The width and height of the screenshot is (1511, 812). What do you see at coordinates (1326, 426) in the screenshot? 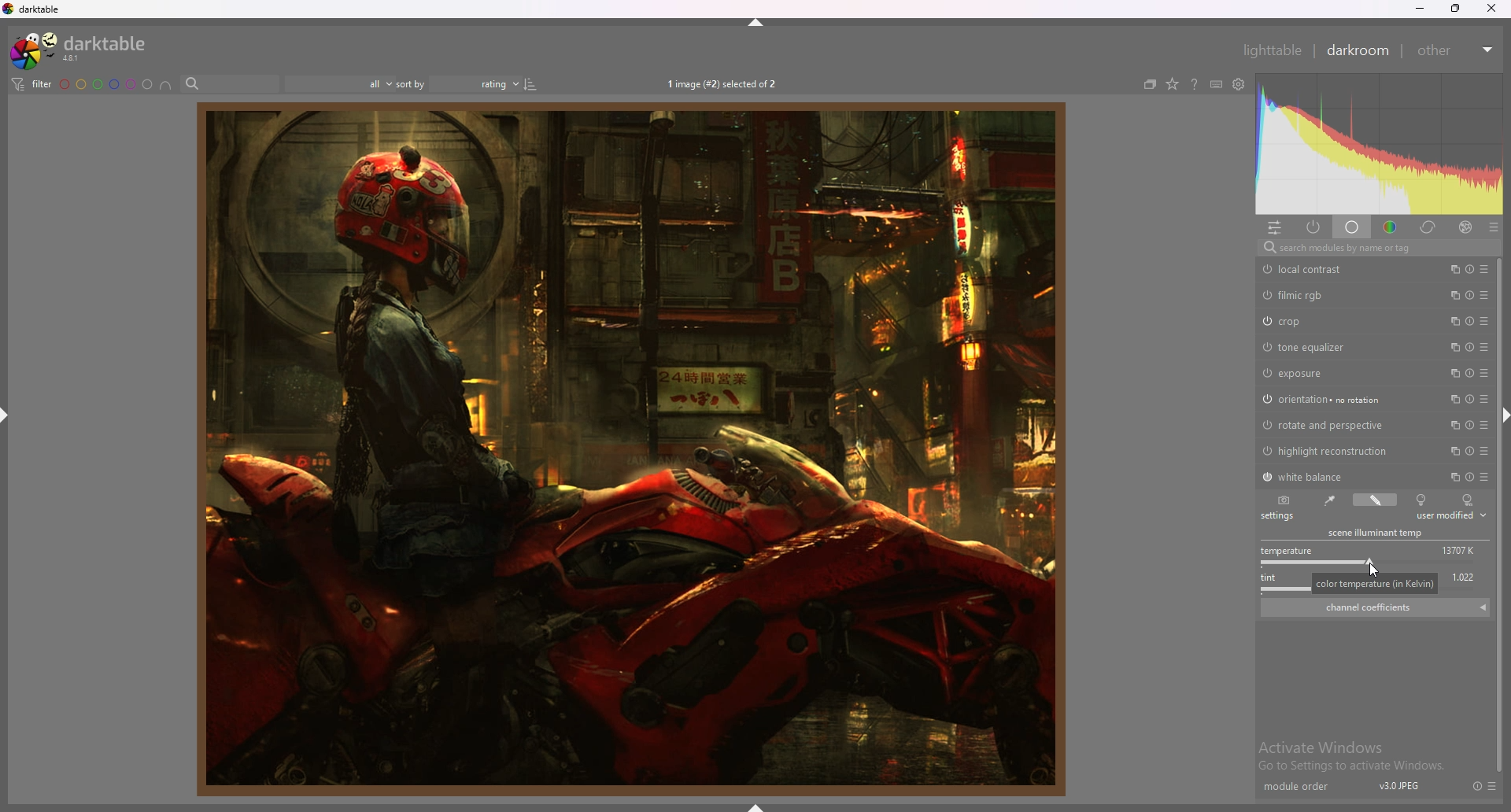
I see `rotate and perspective` at bounding box center [1326, 426].